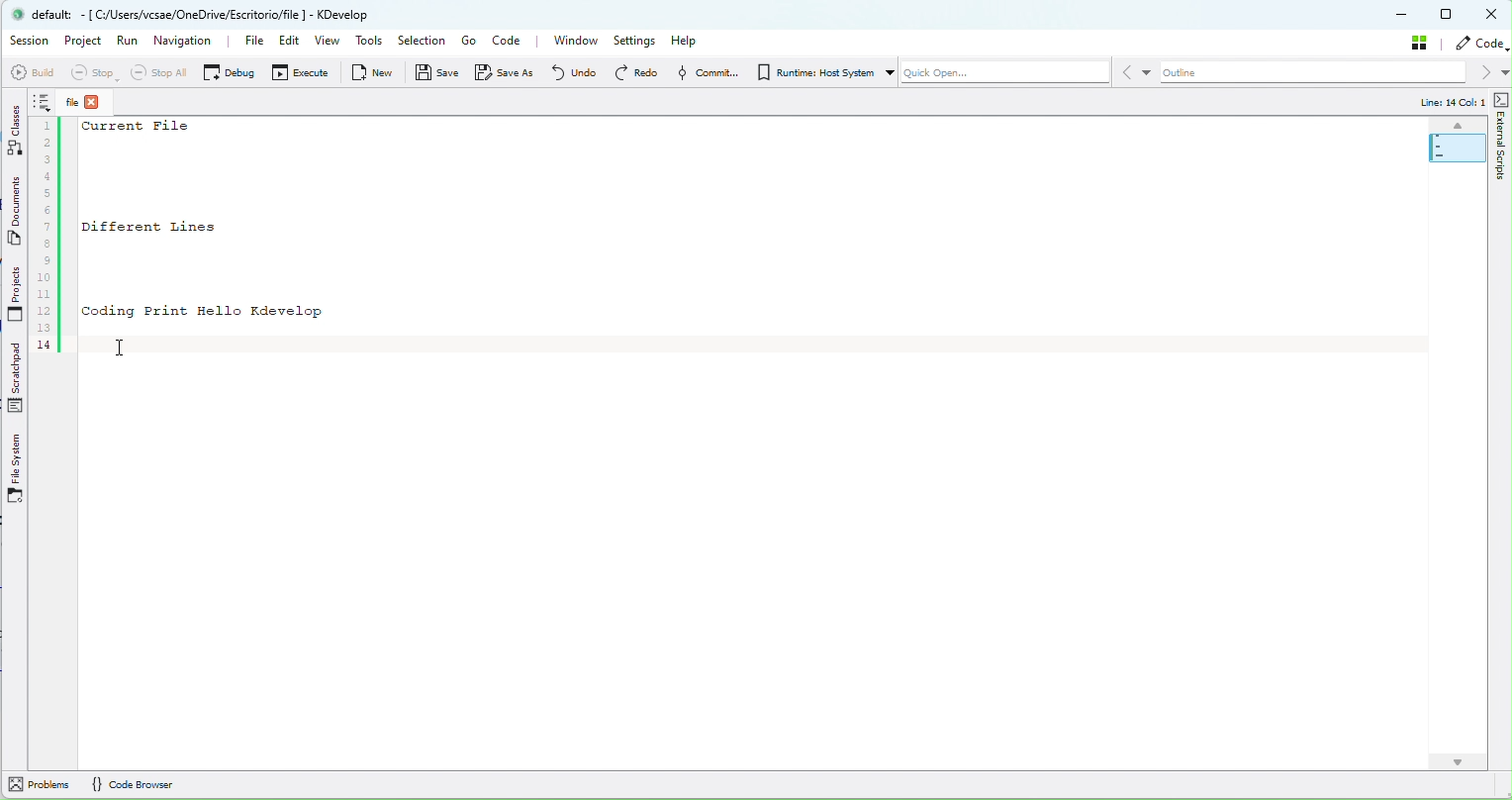 The height and width of the screenshot is (800, 1512). What do you see at coordinates (1324, 73) in the screenshot?
I see `outline` at bounding box center [1324, 73].